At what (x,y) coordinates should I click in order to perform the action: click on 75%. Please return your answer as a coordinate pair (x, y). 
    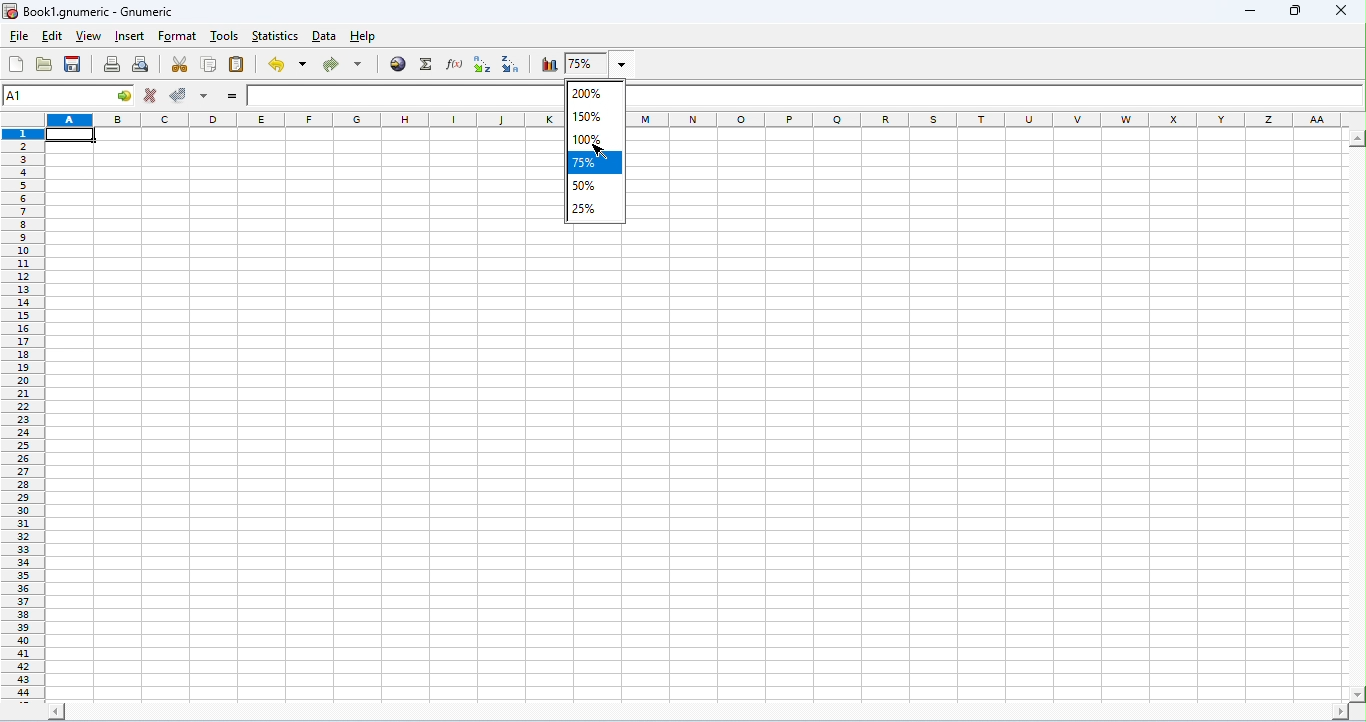
    Looking at the image, I should click on (604, 63).